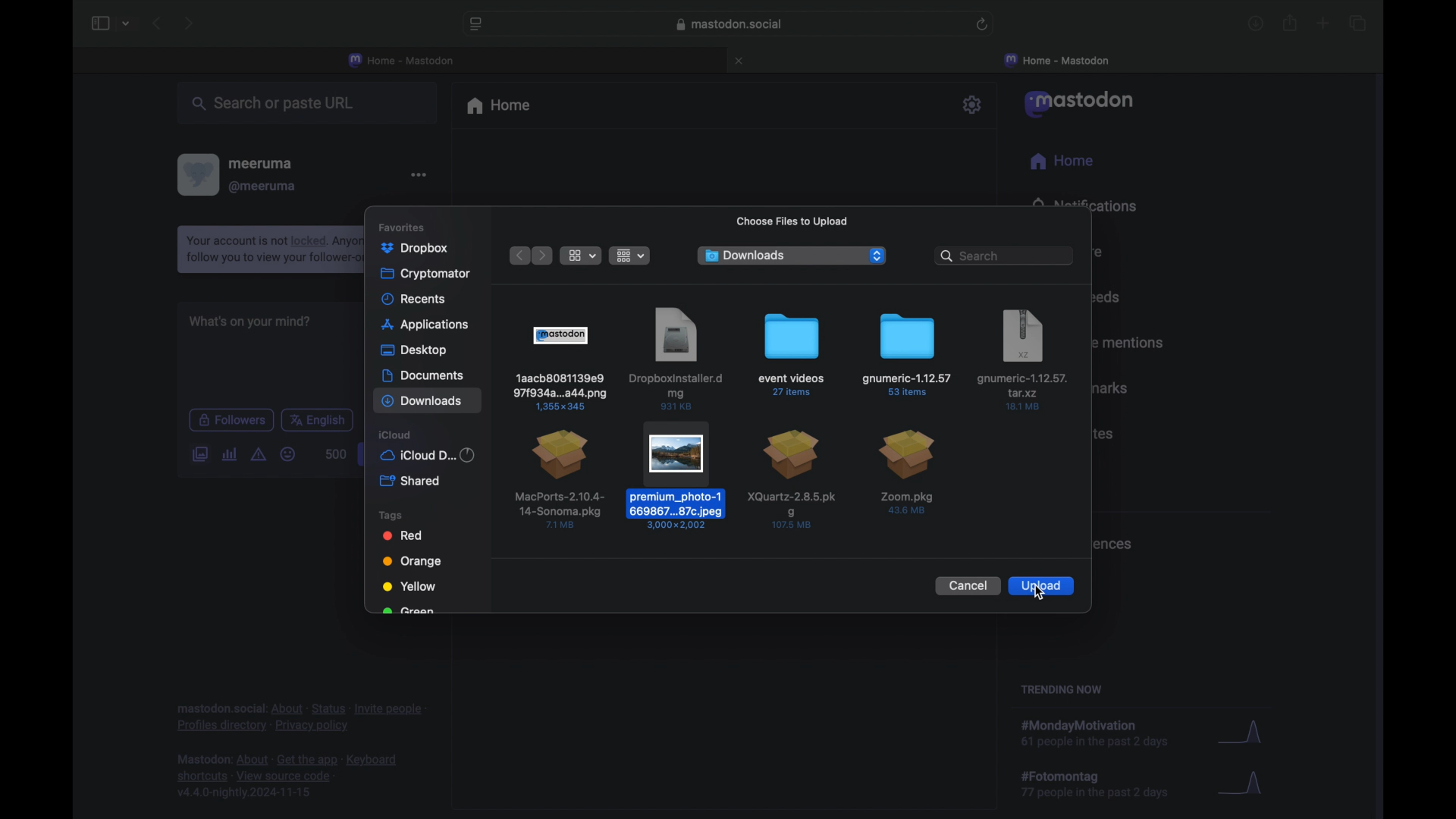 The width and height of the screenshot is (1456, 819). I want to click on settings, so click(974, 105).